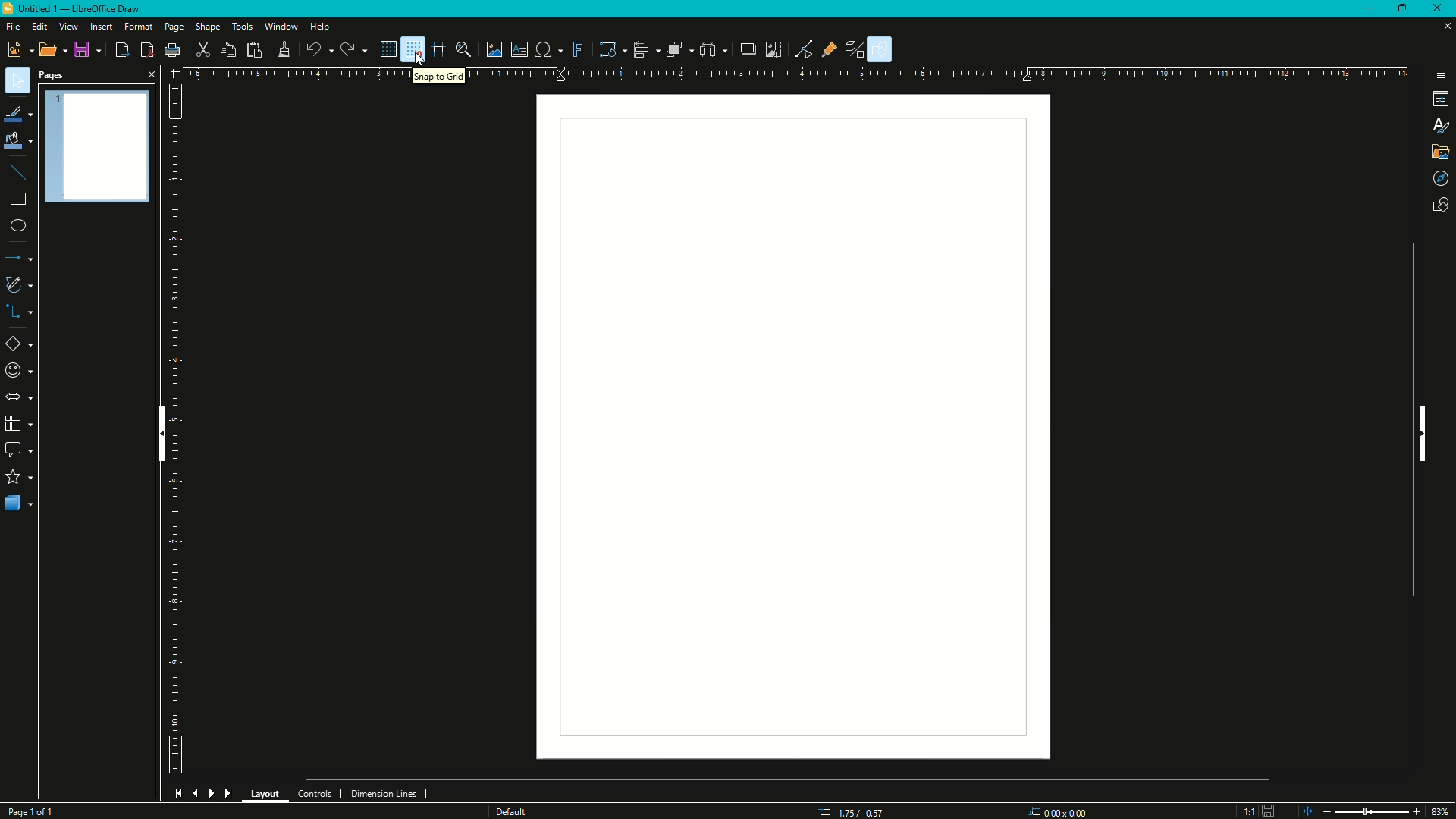  I want to click on Next page, so click(215, 792).